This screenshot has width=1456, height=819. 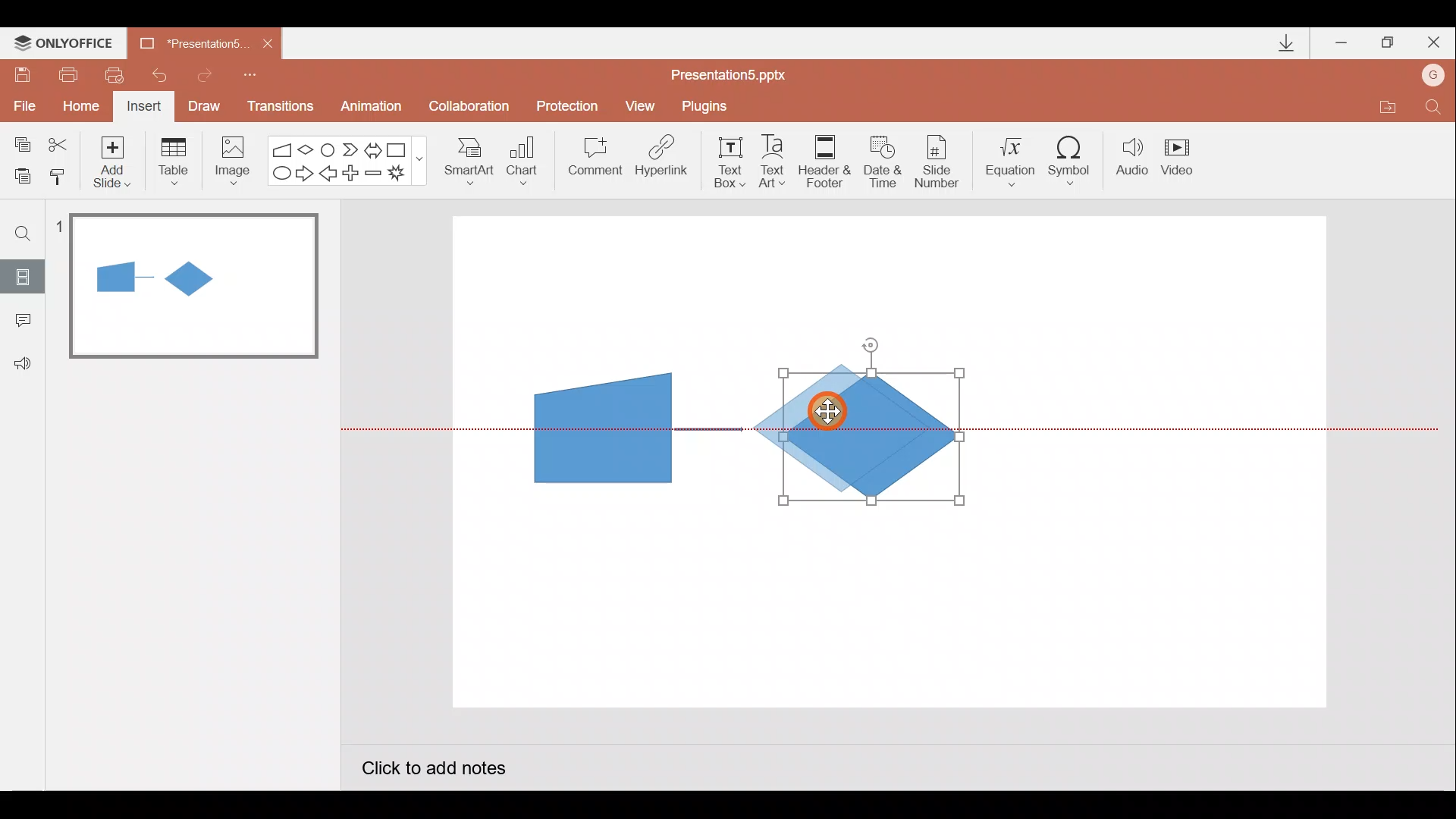 I want to click on Flowchart - manual input, so click(x=284, y=148).